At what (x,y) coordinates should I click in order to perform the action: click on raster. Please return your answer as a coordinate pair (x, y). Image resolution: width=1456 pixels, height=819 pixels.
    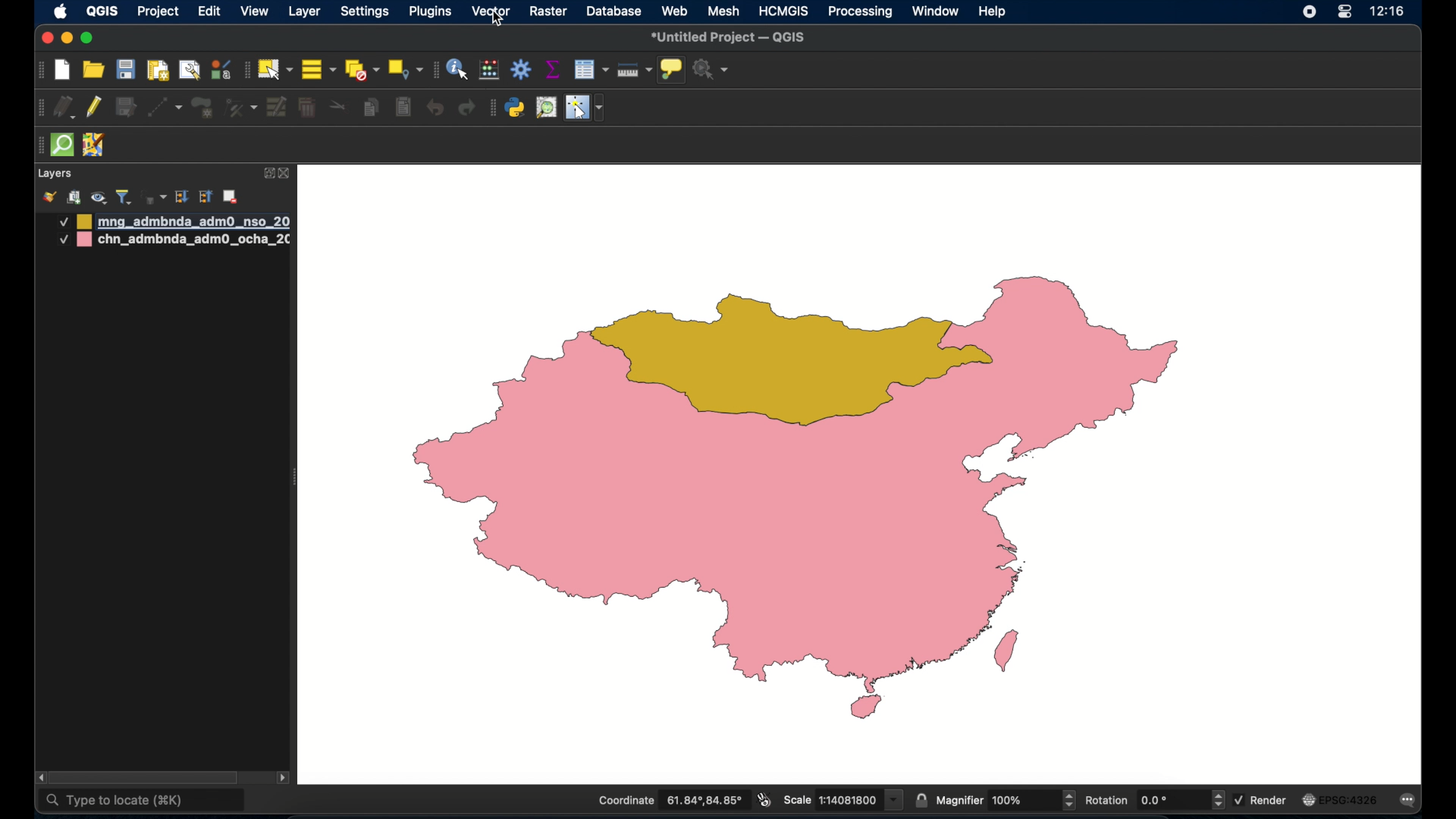
    Looking at the image, I should click on (548, 12).